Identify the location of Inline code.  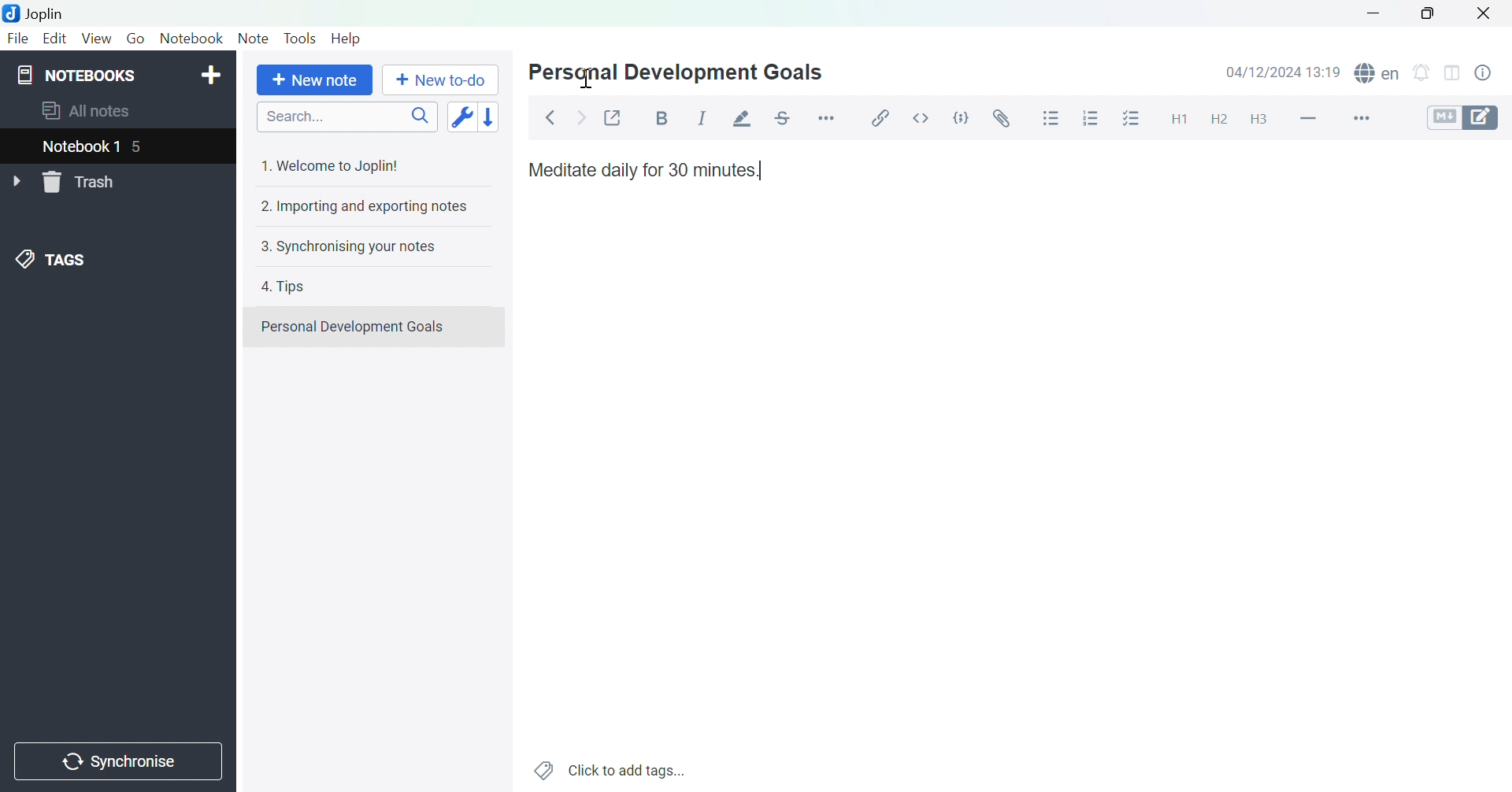
(919, 120).